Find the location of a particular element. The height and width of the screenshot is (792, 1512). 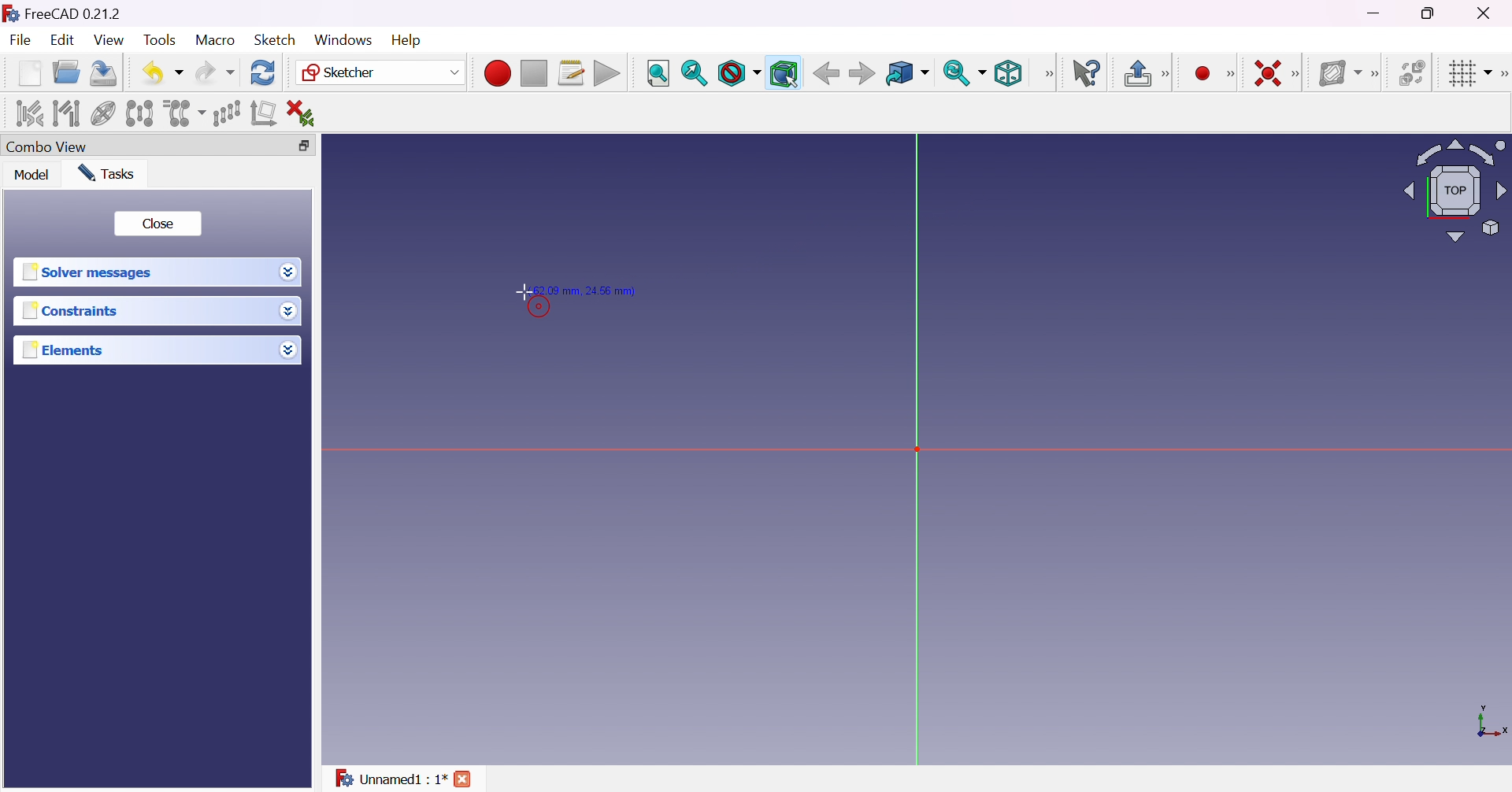

New is located at coordinates (30, 72).